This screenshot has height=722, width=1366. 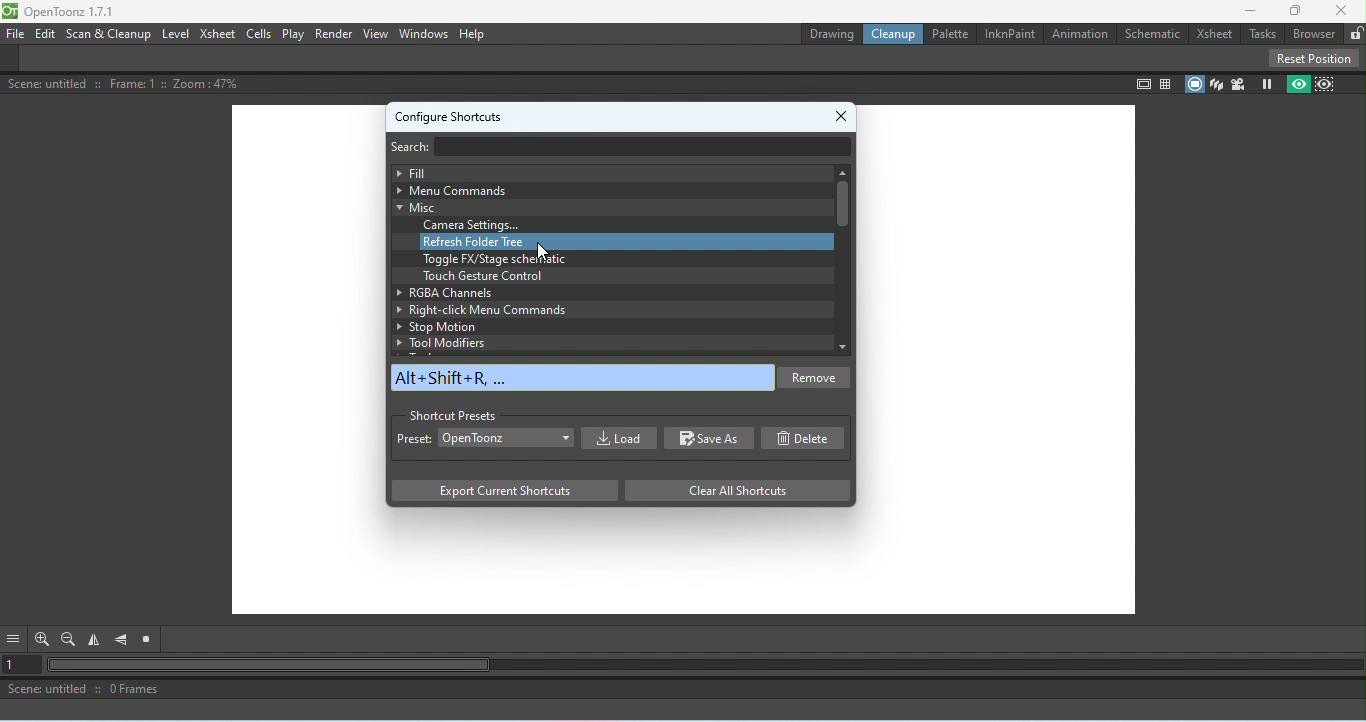 I want to click on Animation, so click(x=1077, y=31).